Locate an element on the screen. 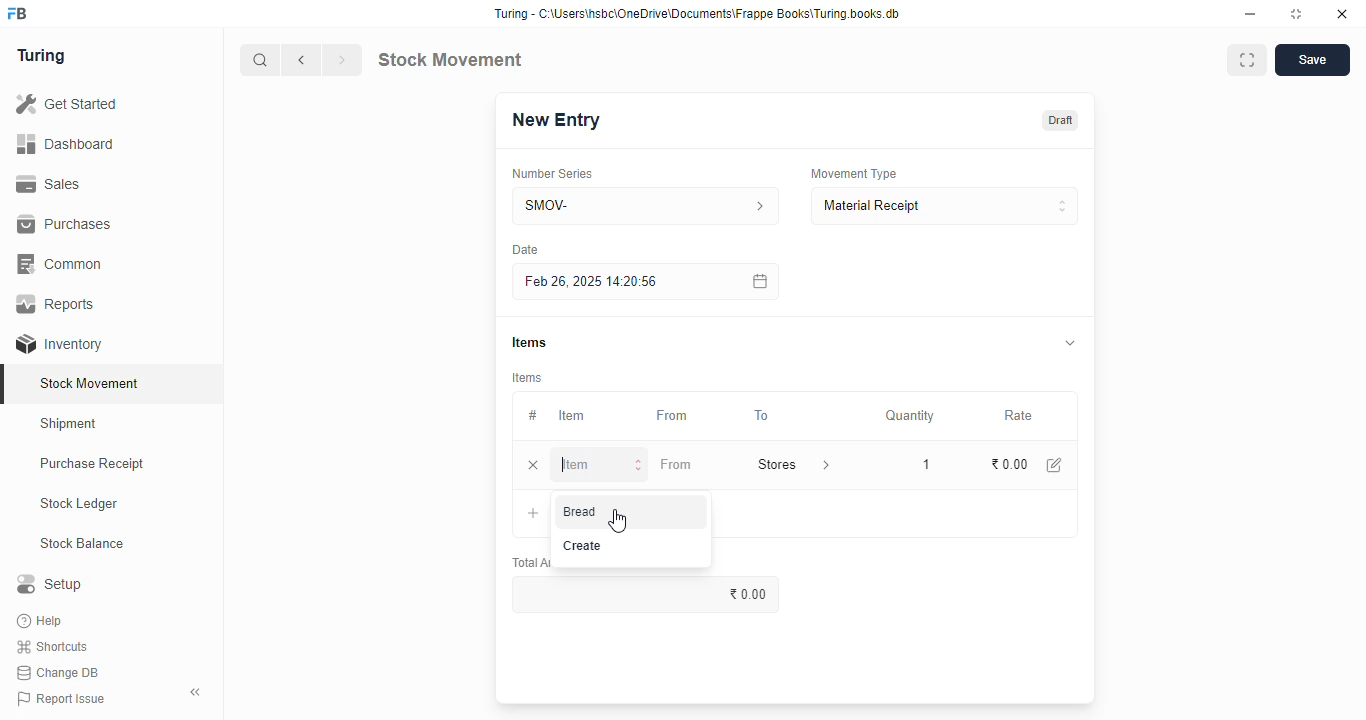  sales is located at coordinates (48, 184).